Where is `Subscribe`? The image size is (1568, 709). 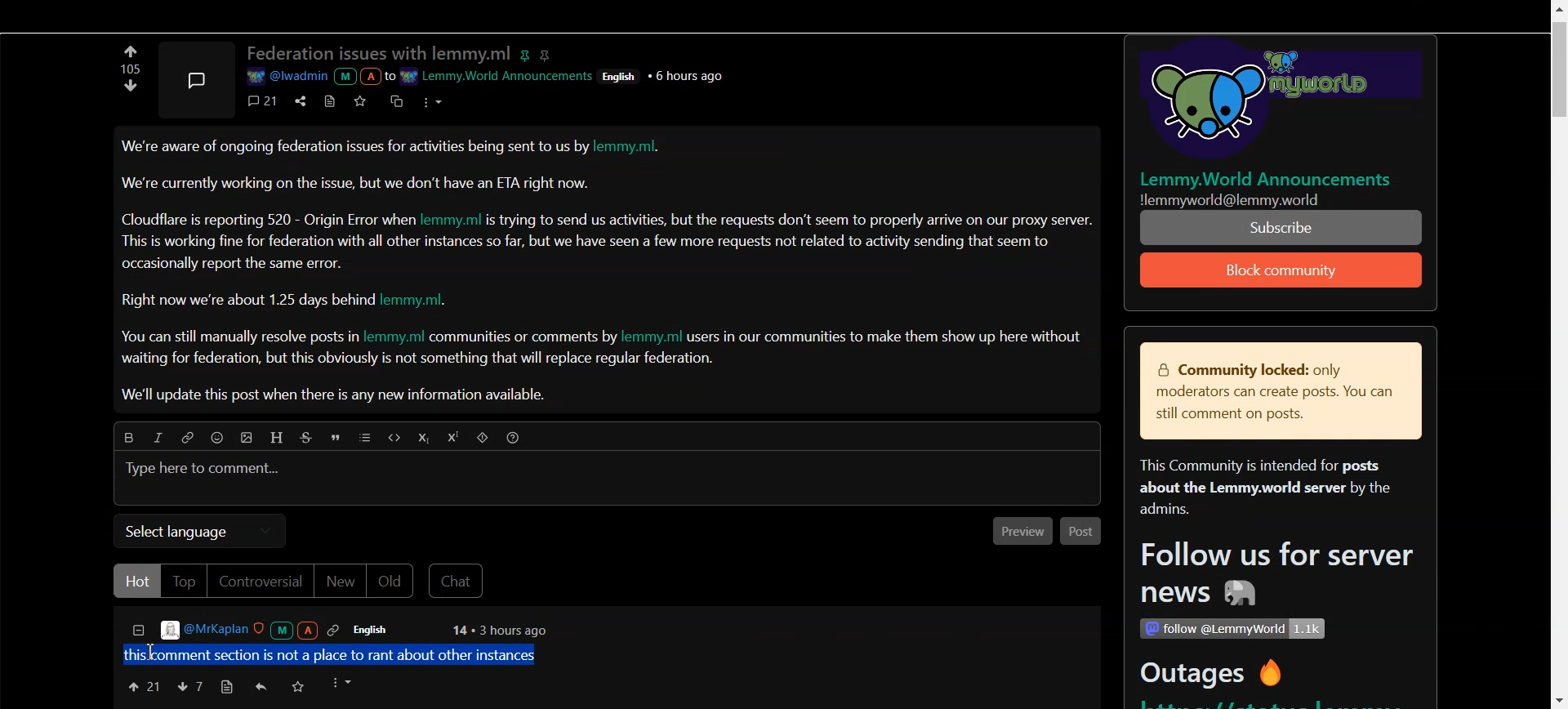
Subscribe is located at coordinates (1282, 270).